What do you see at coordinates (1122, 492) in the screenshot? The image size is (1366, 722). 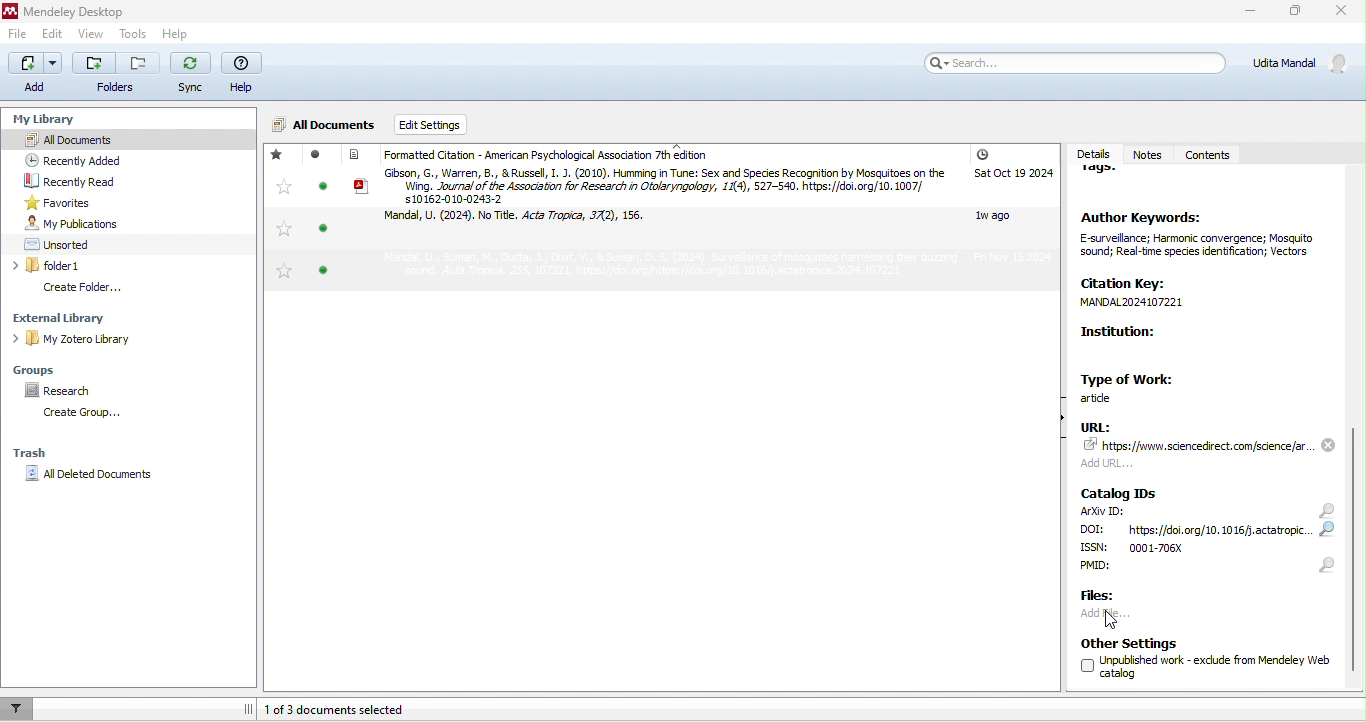 I see `catalog IDs` at bounding box center [1122, 492].